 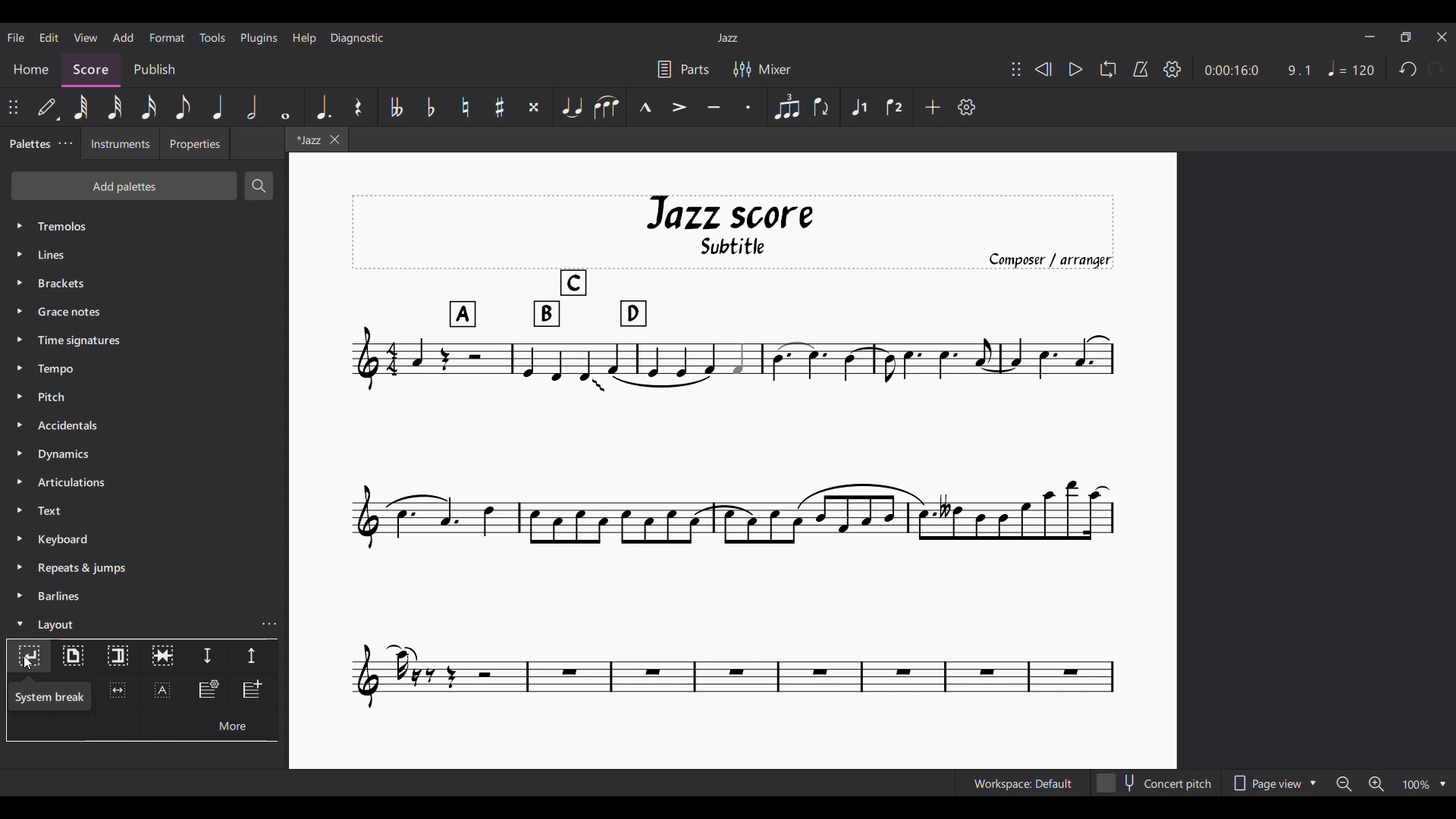 I want to click on Minimize, so click(x=1370, y=36).